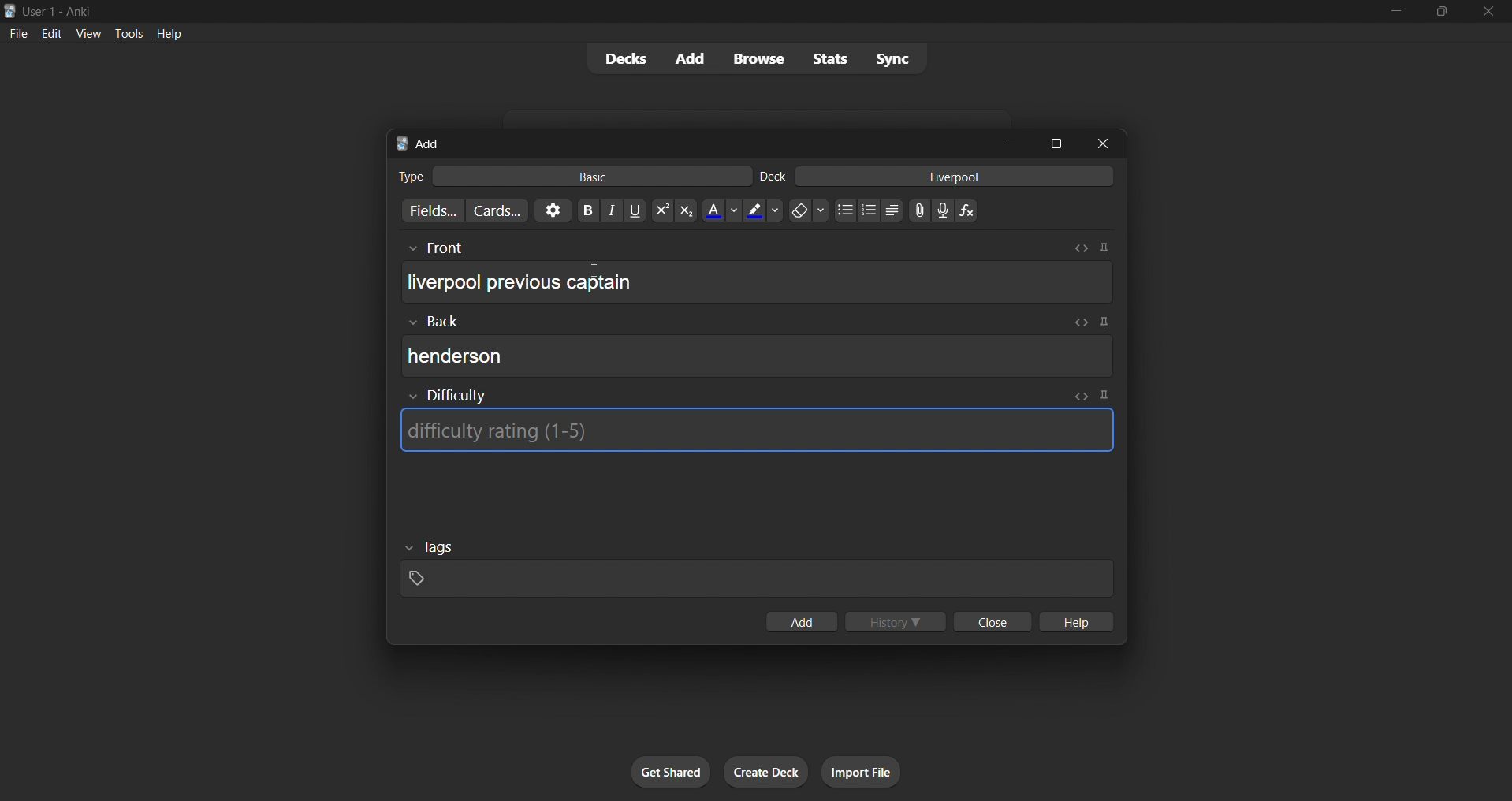 The image size is (1512, 801). Describe the element at coordinates (757, 564) in the screenshot. I see `card tags input box` at that location.